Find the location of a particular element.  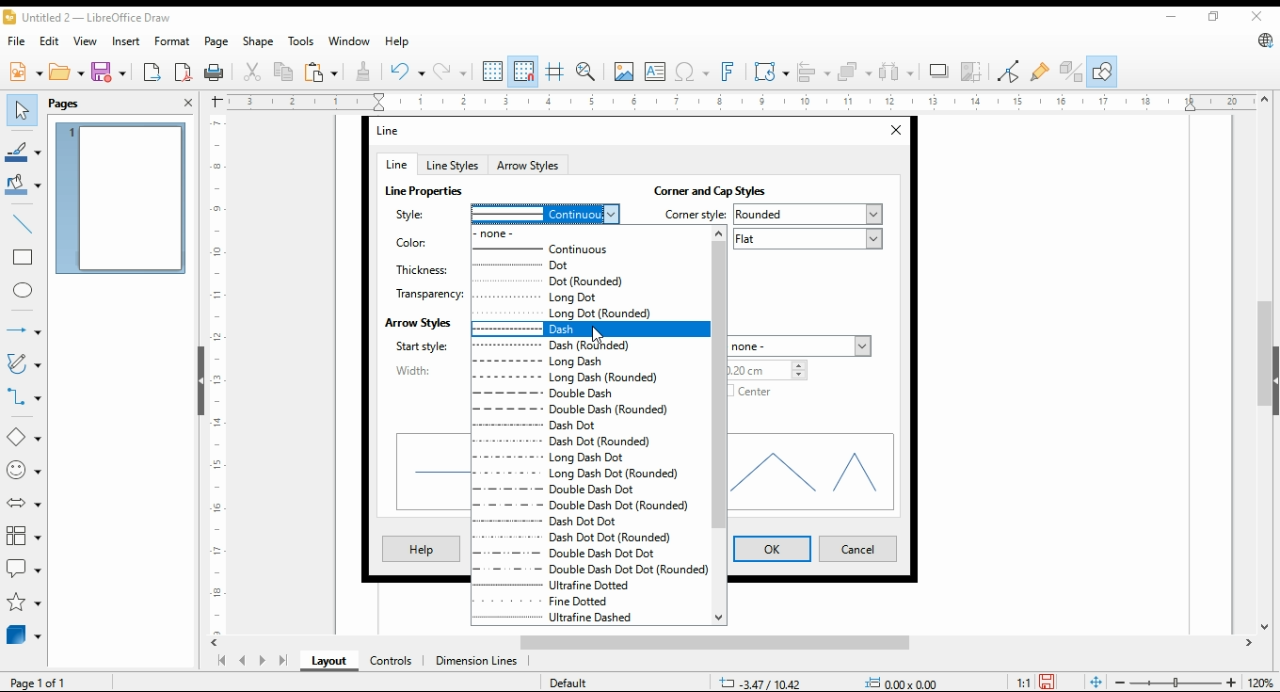

edit is located at coordinates (48, 39).